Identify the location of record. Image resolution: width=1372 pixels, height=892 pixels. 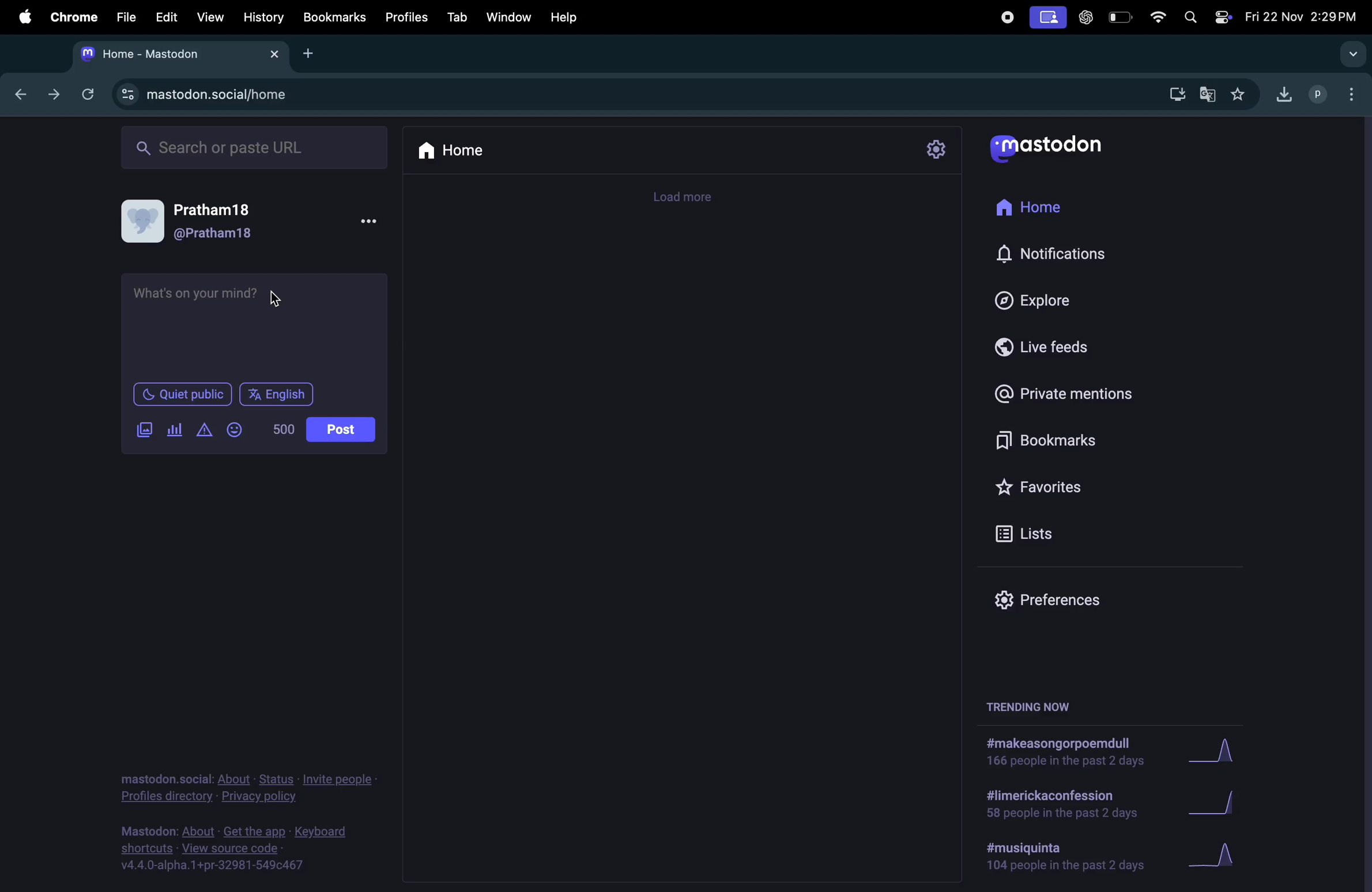
(1006, 17).